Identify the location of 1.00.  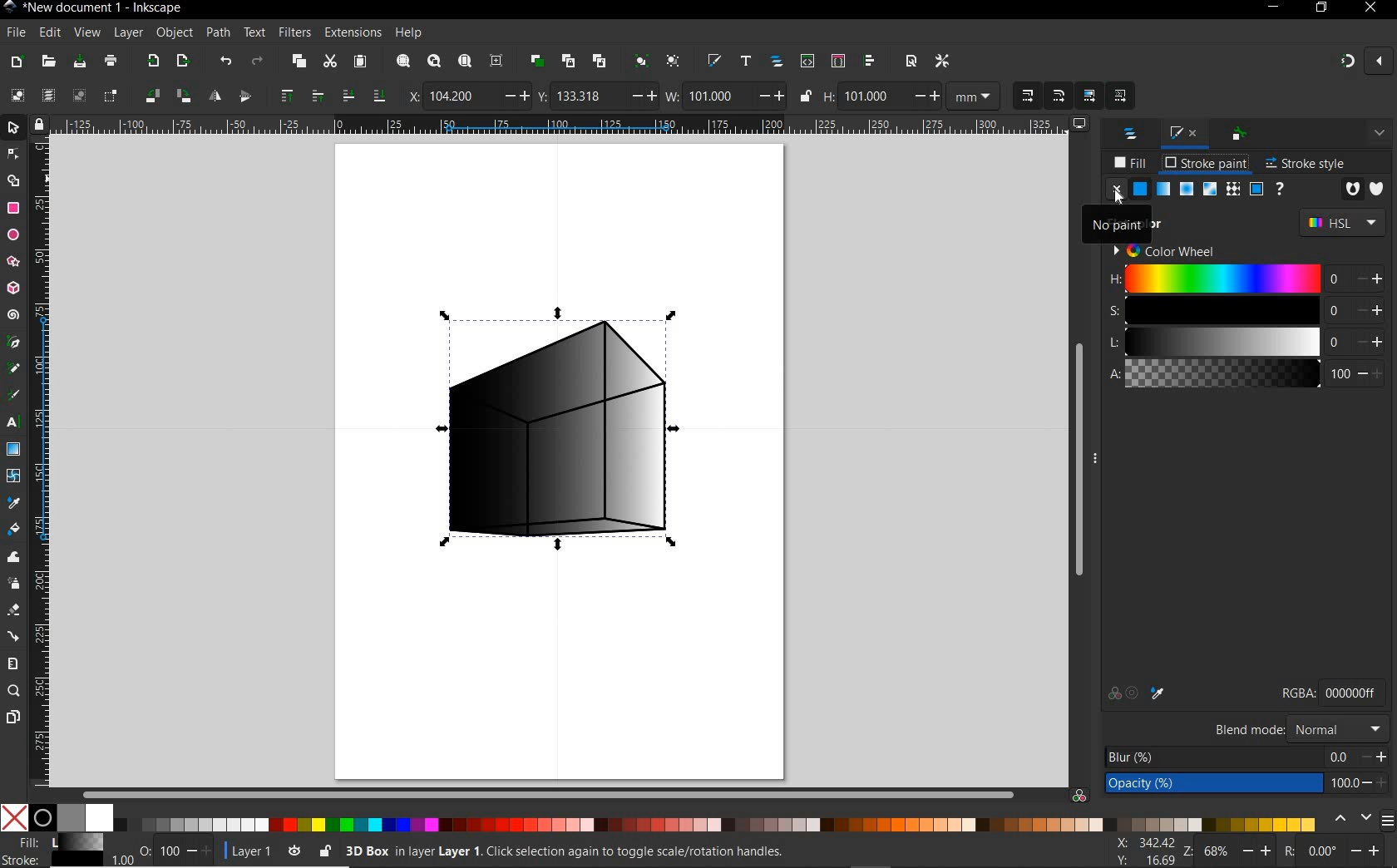
(121, 861).